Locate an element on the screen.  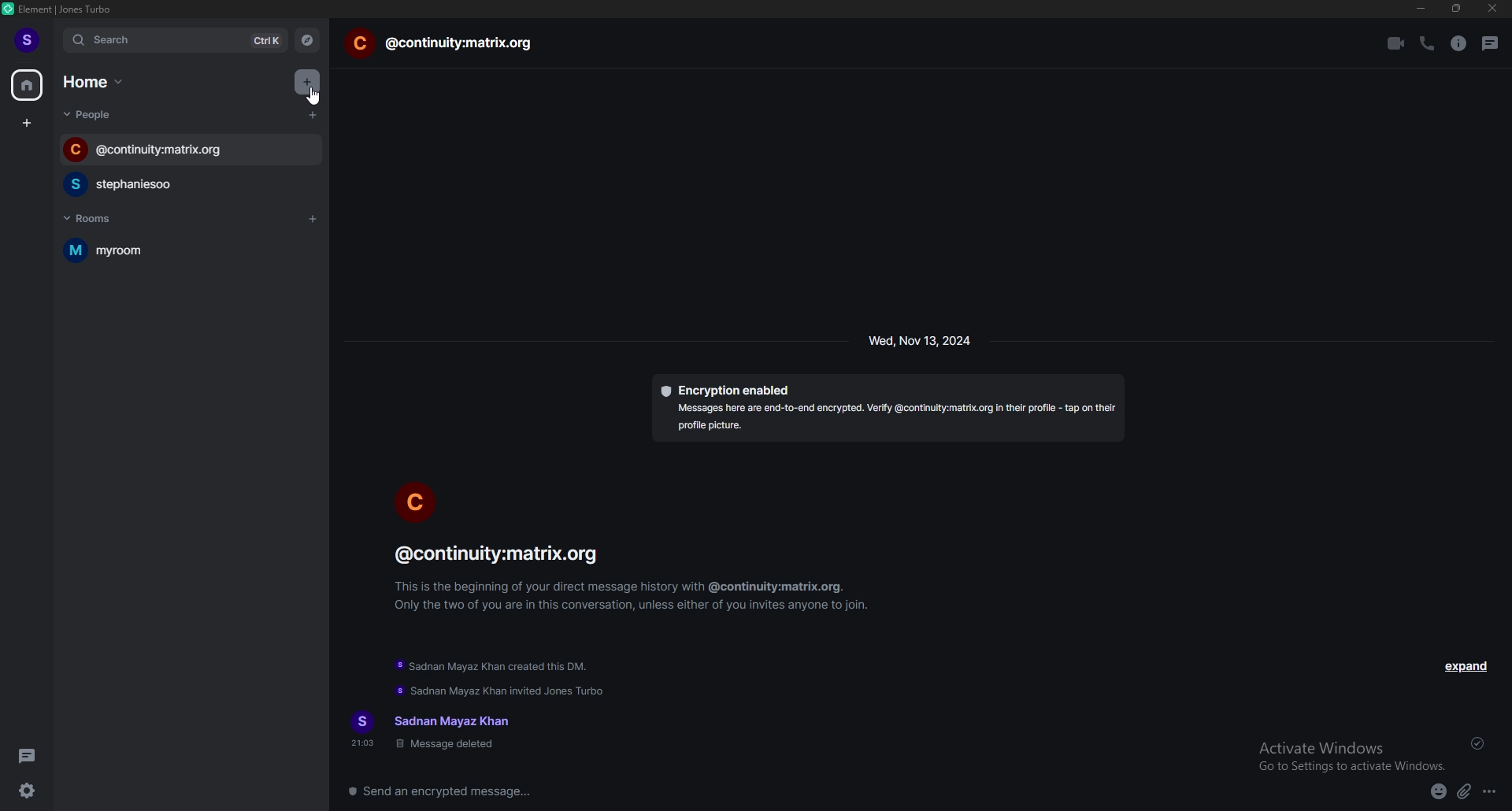
add is located at coordinates (306, 79).